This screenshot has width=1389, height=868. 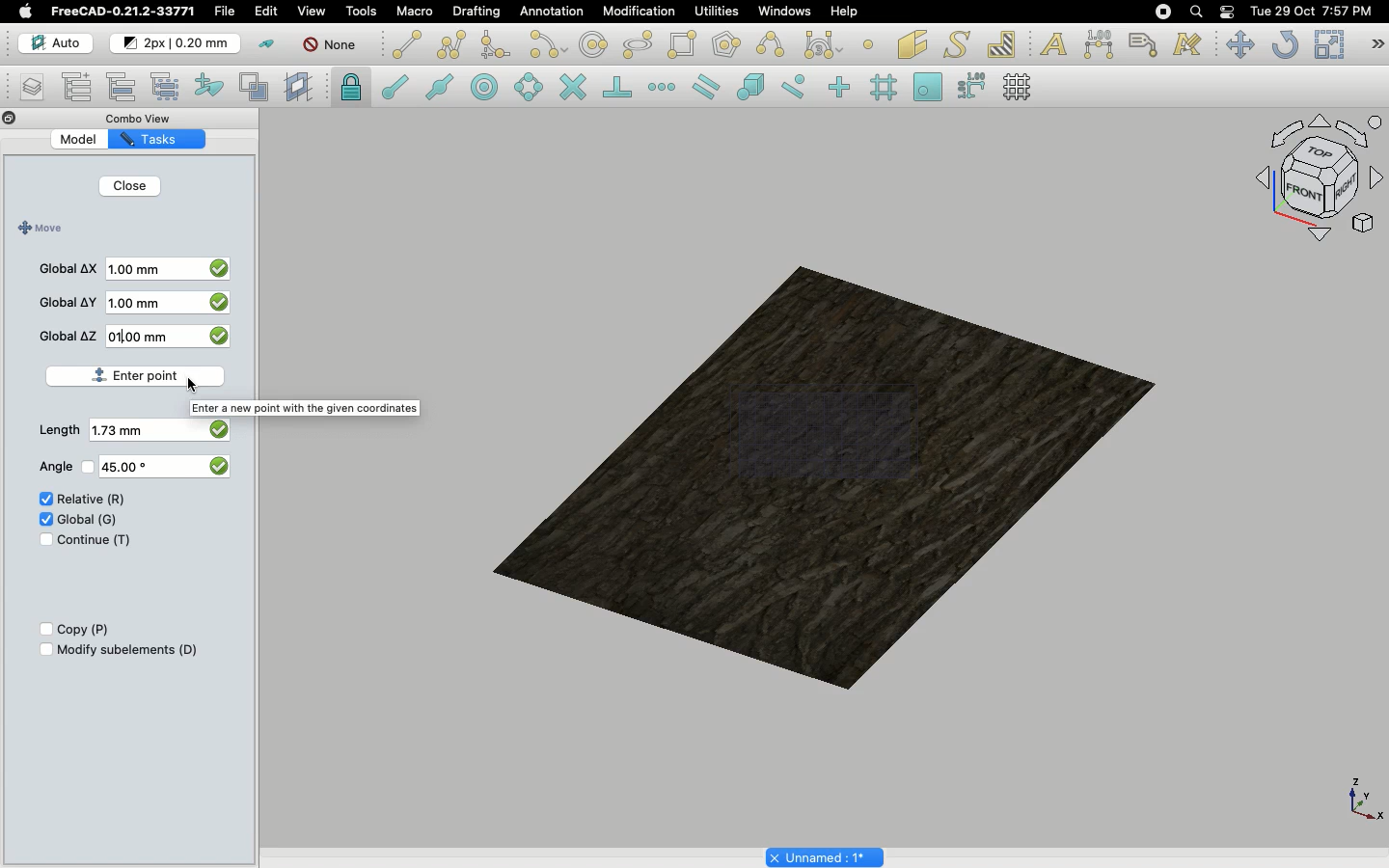 I want to click on Help, so click(x=844, y=11).